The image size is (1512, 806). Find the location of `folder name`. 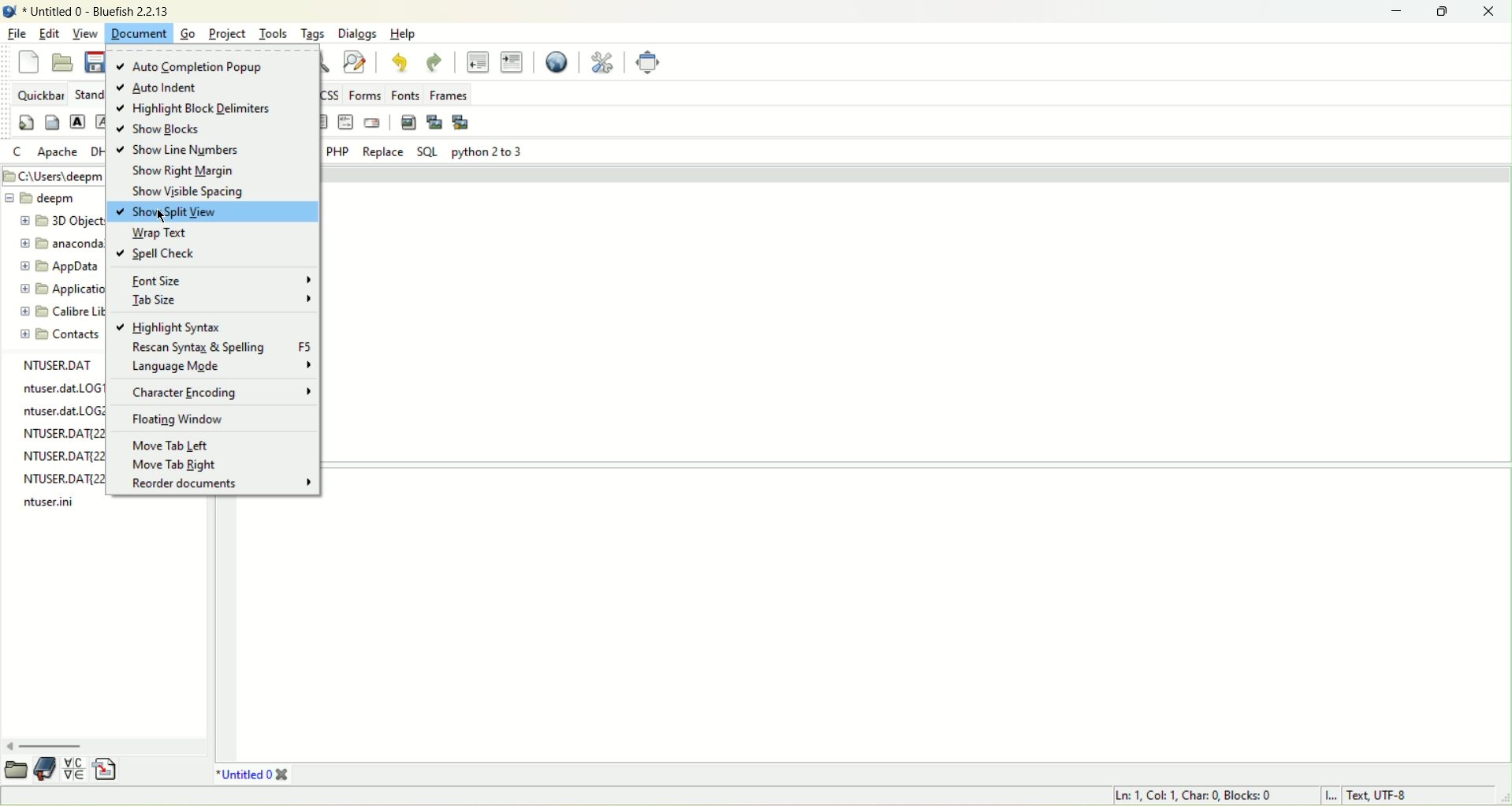

folder name is located at coordinates (61, 266).